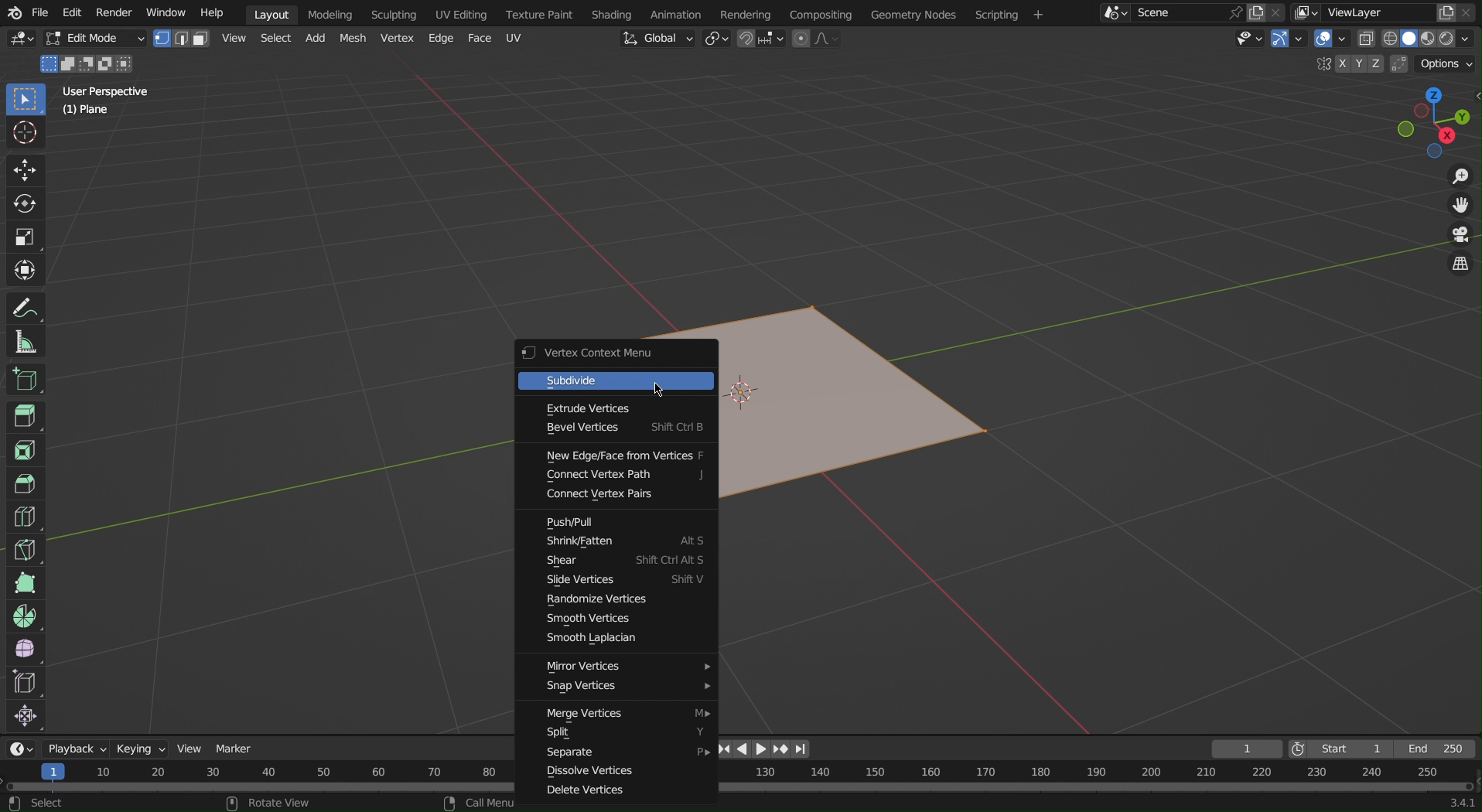  What do you see at coordinates (236, 745) in the screenshot?
I see `Marker` at bounding box center [236, 745].